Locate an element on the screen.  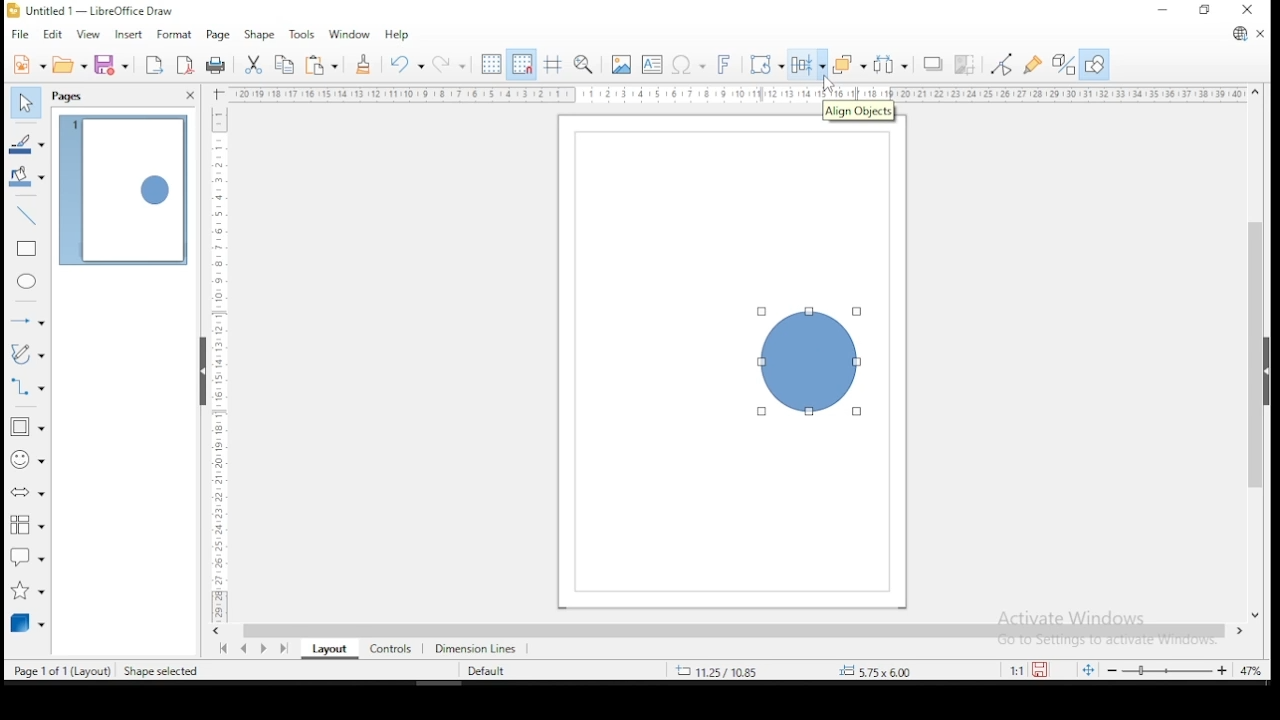
scroll bar is located at coordinates (733, 630).